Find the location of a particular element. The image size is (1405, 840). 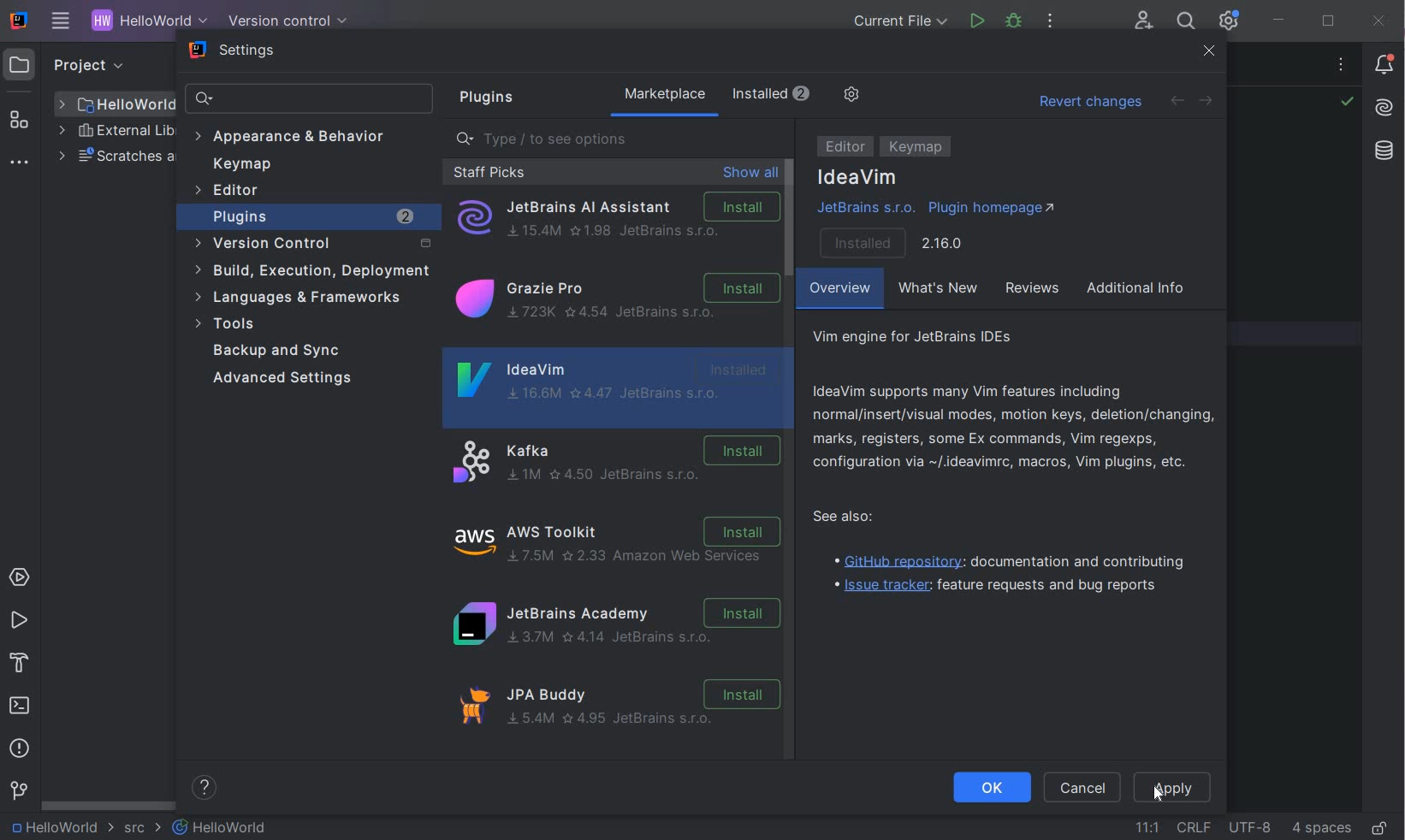

SCROLLBAR is located at coordinates (104, 805).